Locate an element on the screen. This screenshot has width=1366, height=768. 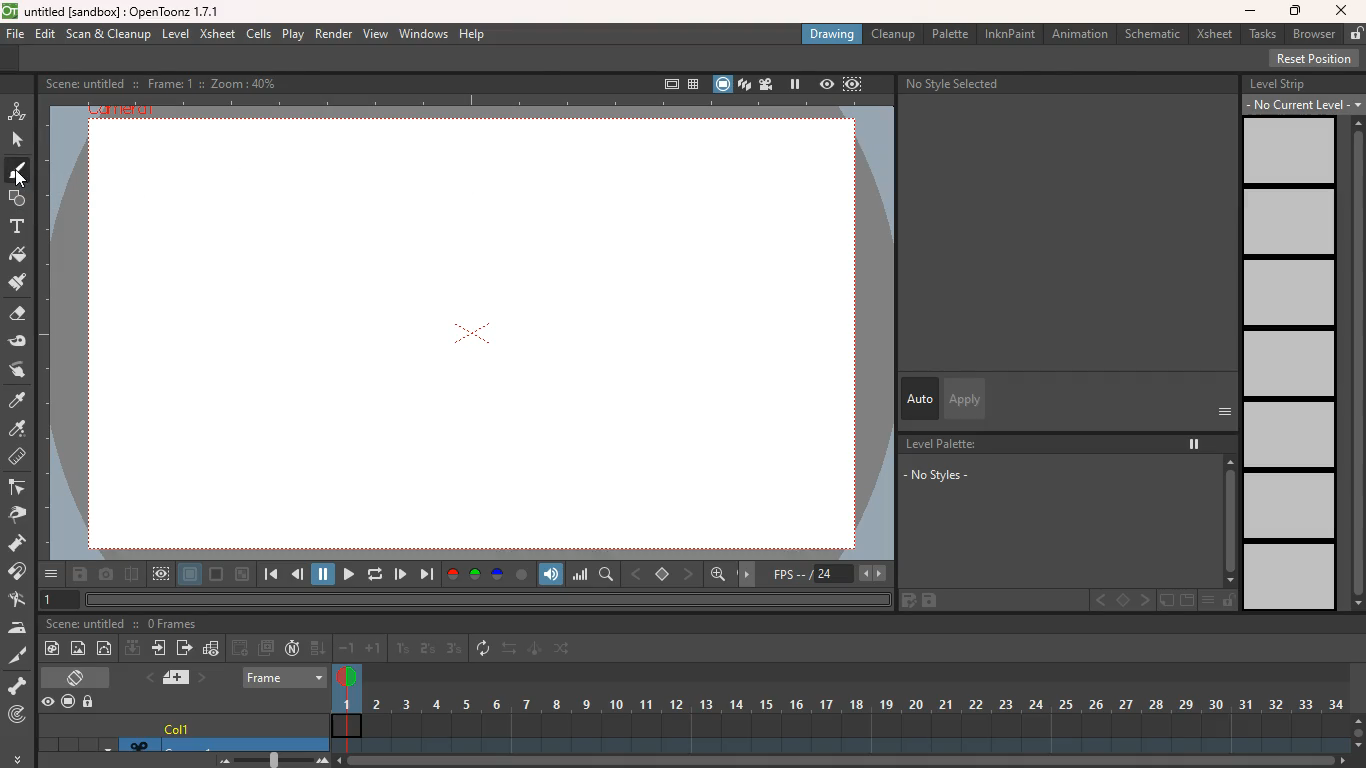
scroll bar is located at coordinates (1355, 365).